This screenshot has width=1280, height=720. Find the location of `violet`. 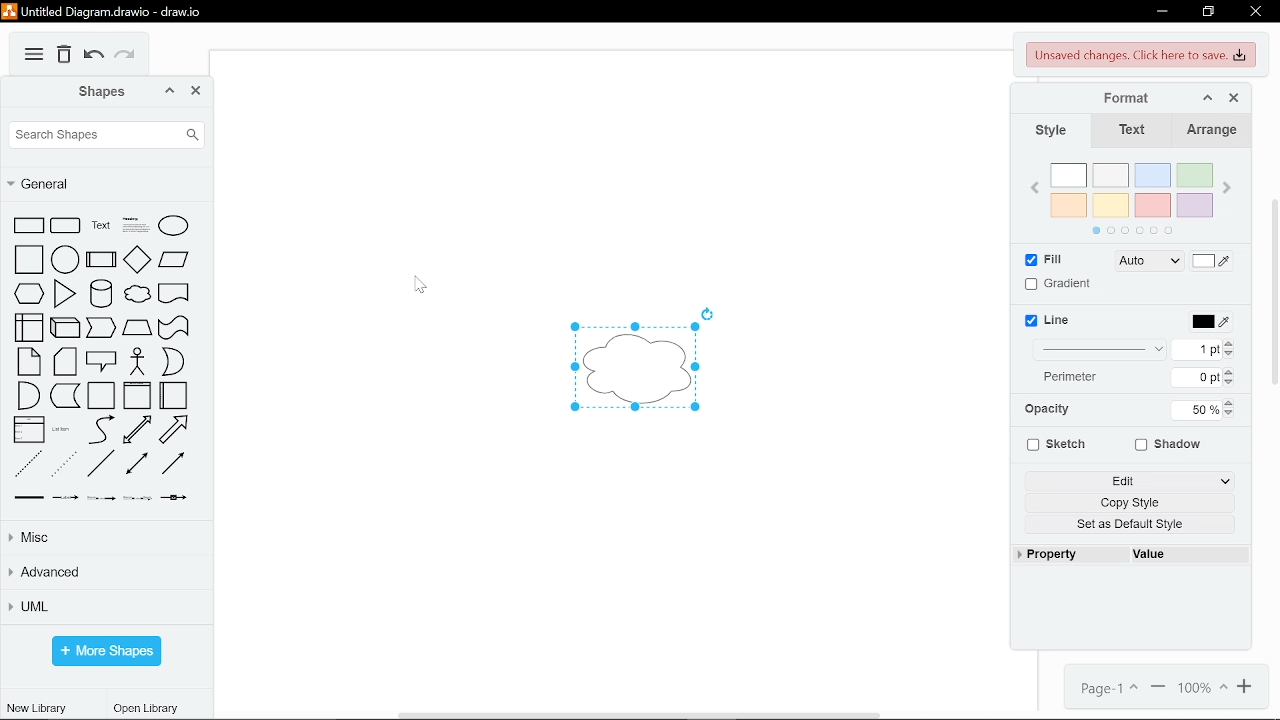

violet is located at coordinates (1194, 205).